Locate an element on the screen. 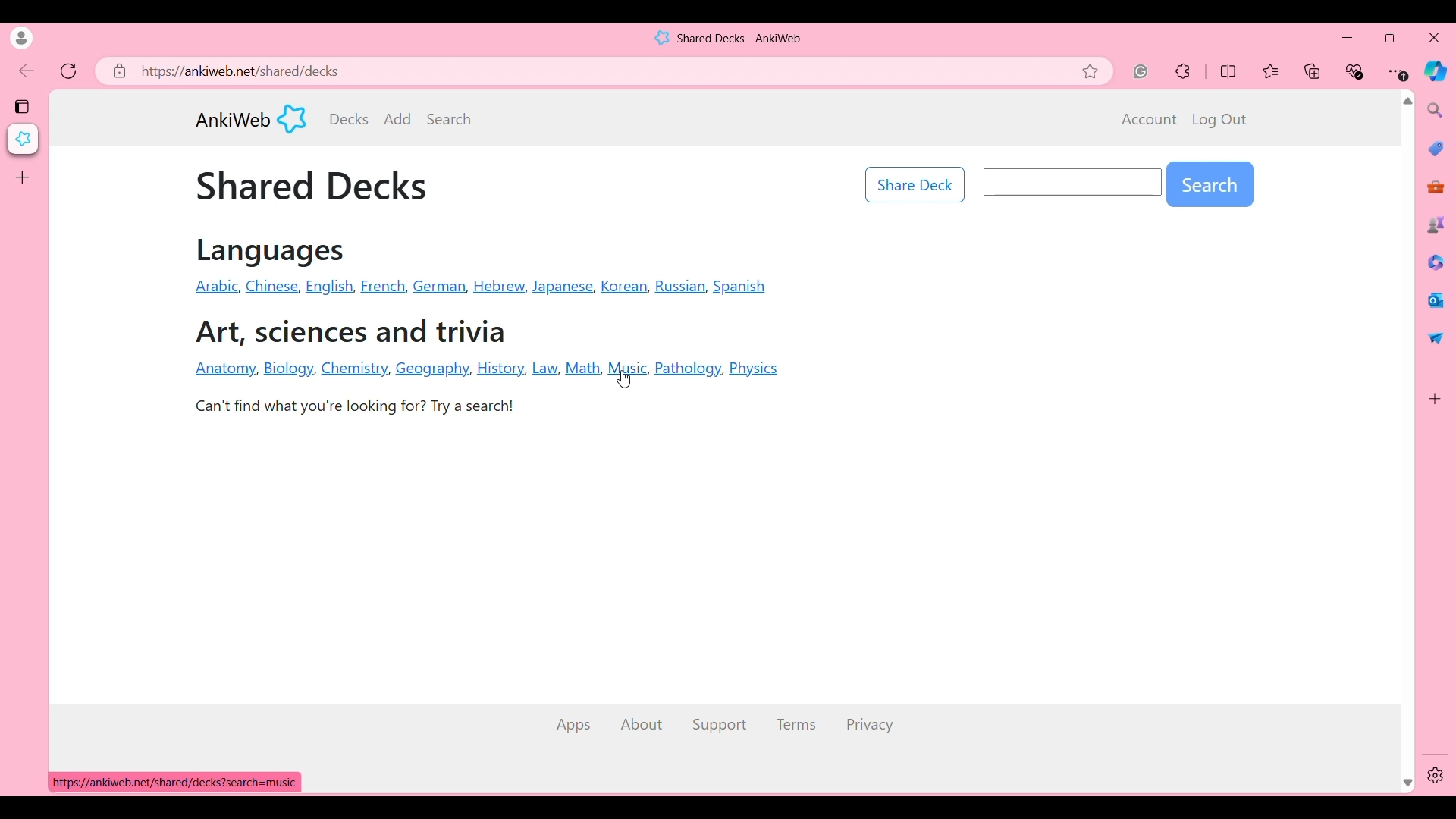 The height and width of the screenshot is (819, 1456). Add tab is located at coordinates (22, 177).